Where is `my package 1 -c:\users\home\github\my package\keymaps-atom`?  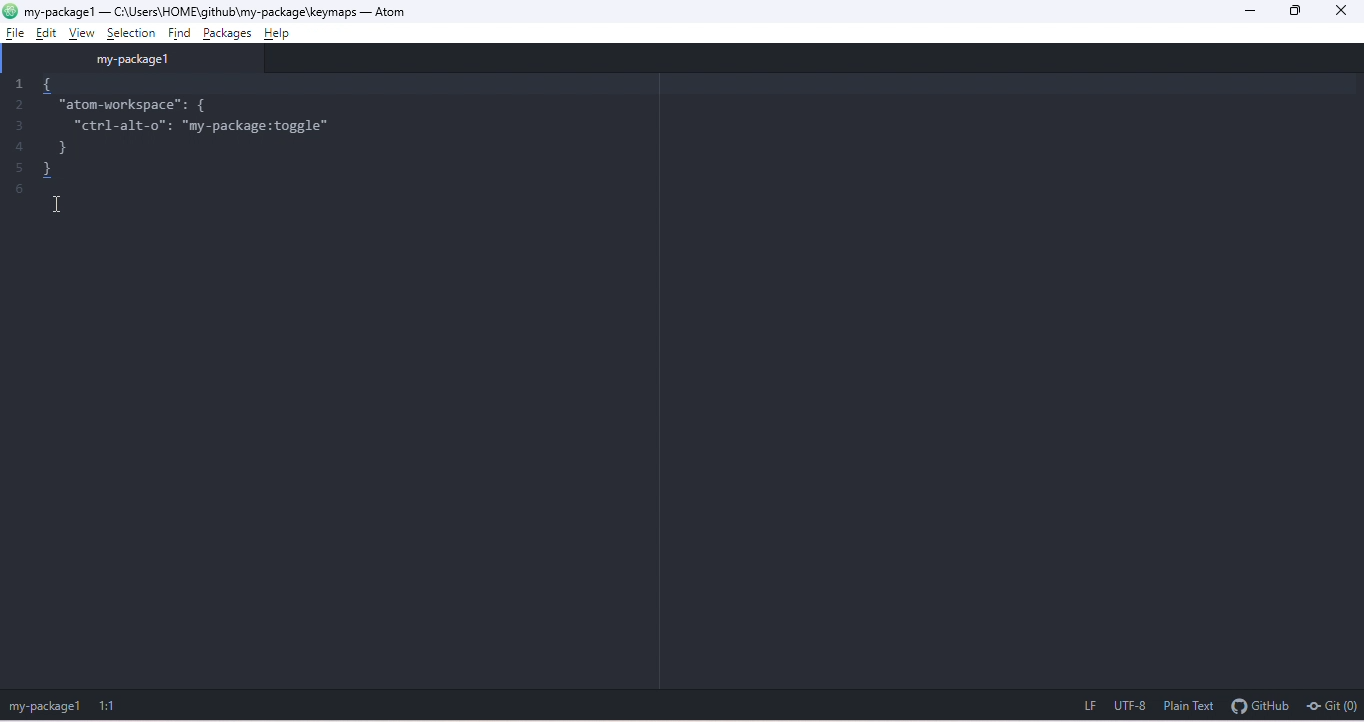 my package 1 -c:\users\home\github\my package\keymaps-atom is located at coordinates (219, 11).